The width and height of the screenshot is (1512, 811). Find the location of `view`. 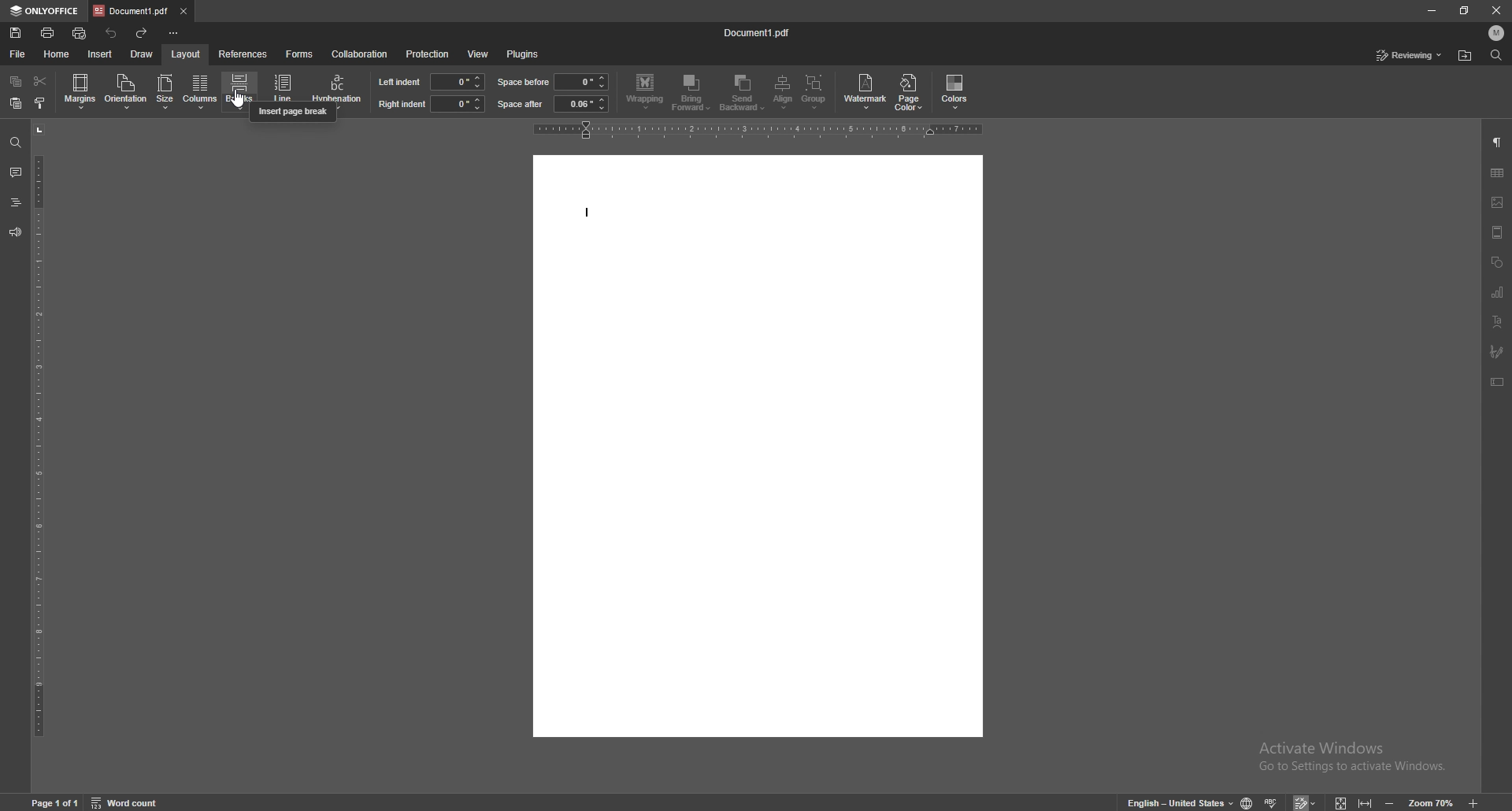

view is located at coordinates (478, 54).